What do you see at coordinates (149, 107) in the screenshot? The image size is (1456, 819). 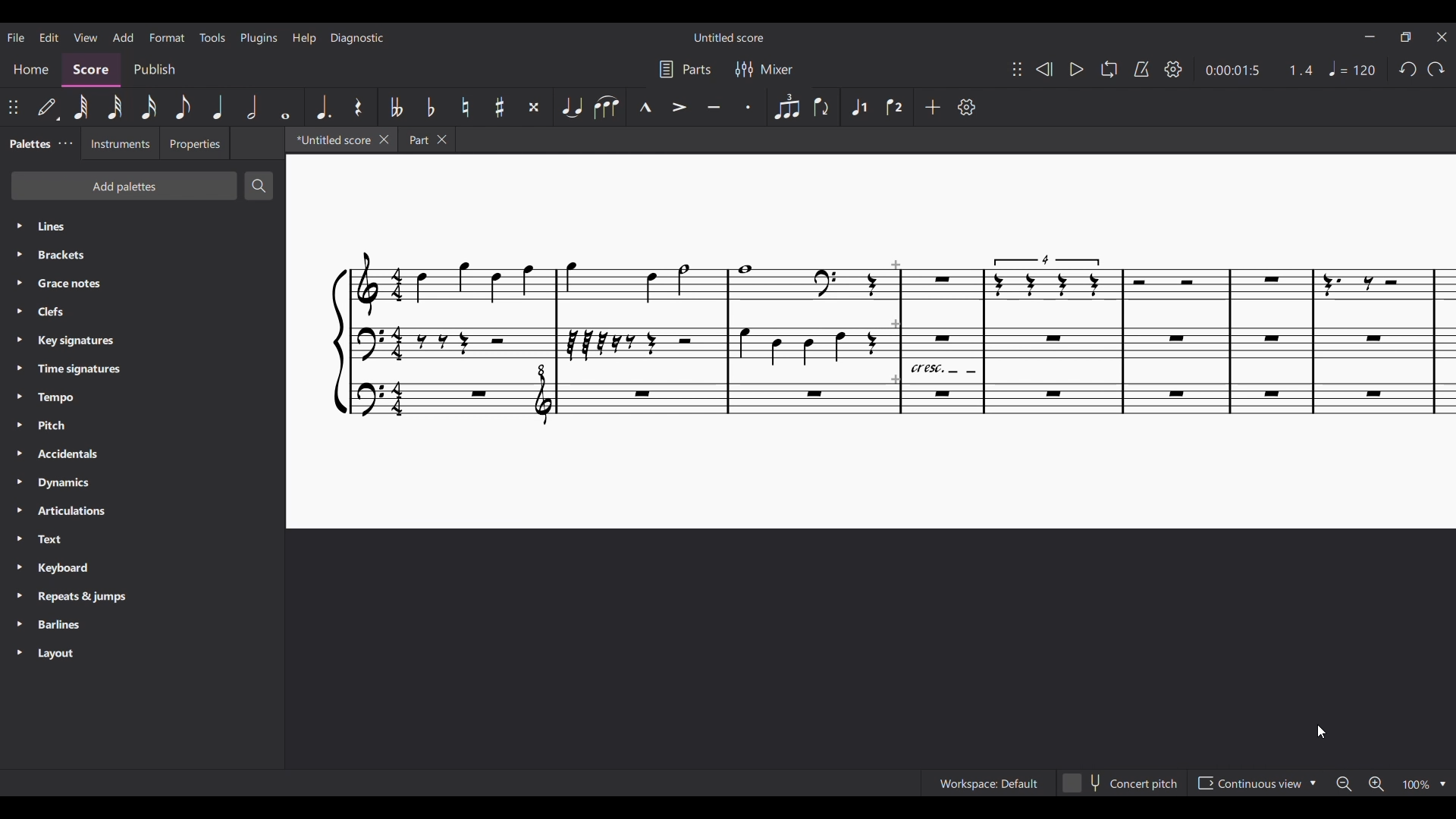 I see `16th note` at bounding box center [149, 107].